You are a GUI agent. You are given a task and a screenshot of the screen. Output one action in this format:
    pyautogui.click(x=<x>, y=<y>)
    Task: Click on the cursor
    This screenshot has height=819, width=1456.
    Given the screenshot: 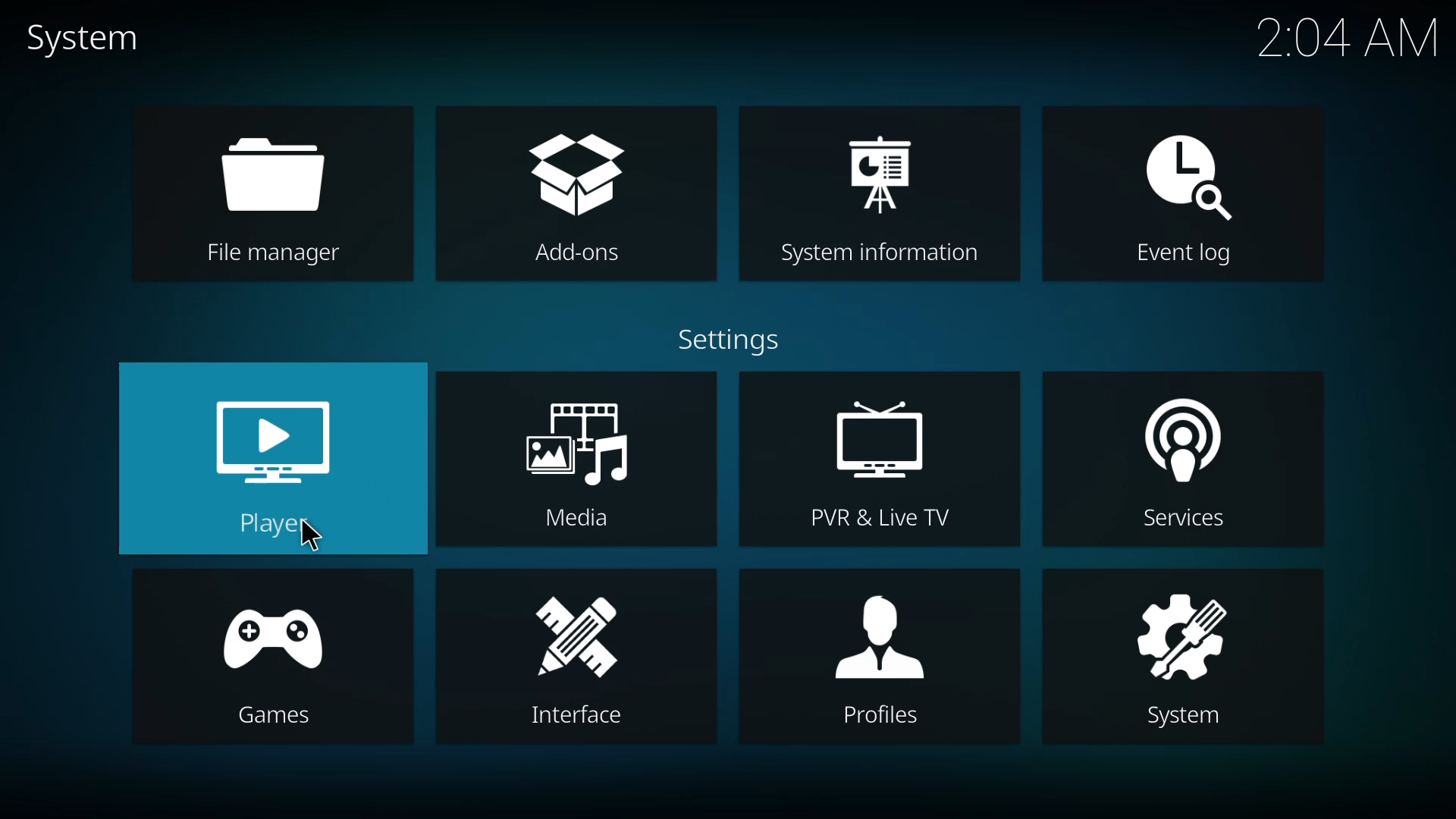 What is the action you would take?
    pyautogui.click(x=310, y=536)
    